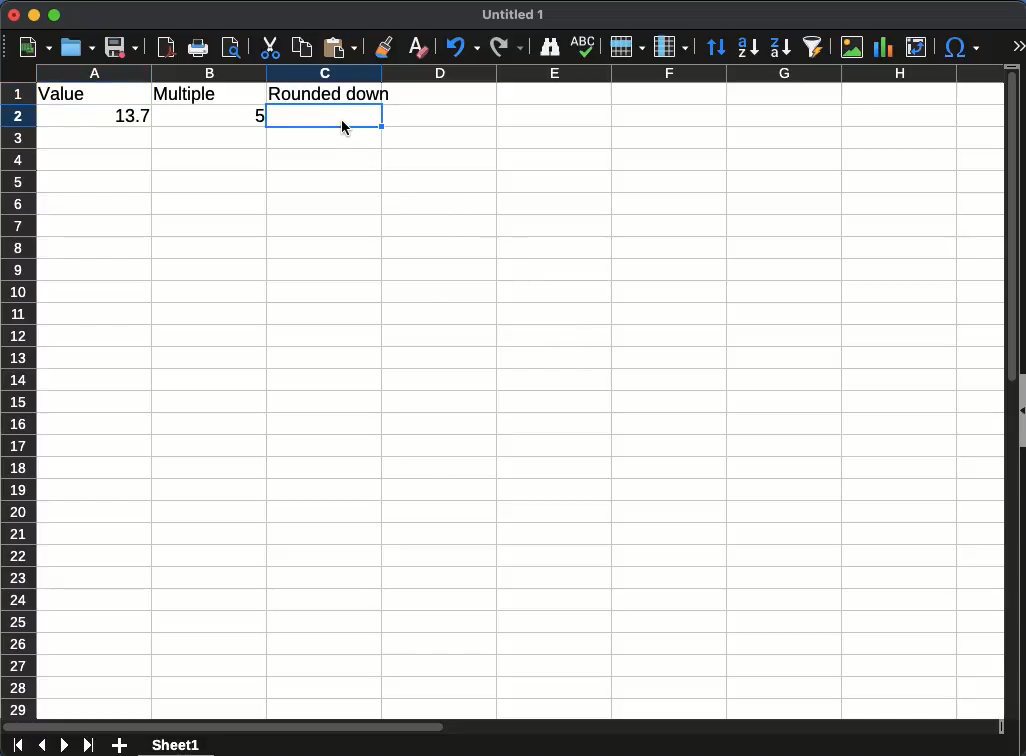  Describe the element at coordinates (198, 47) in the screenshot. I see `print` at that location.